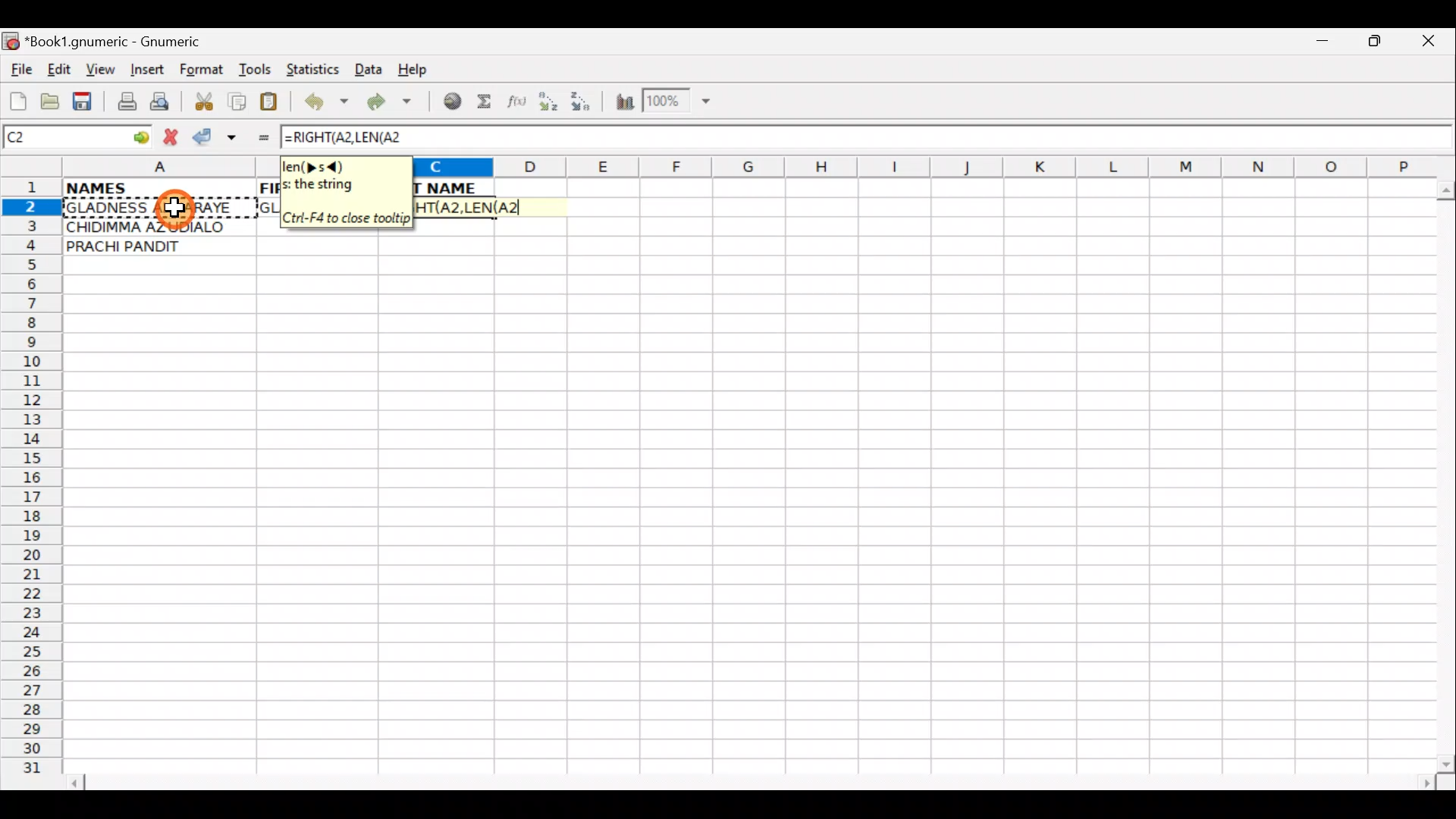 The image size is (1456, 819). I want to click on Sort Ascending order, so click(553, 105).